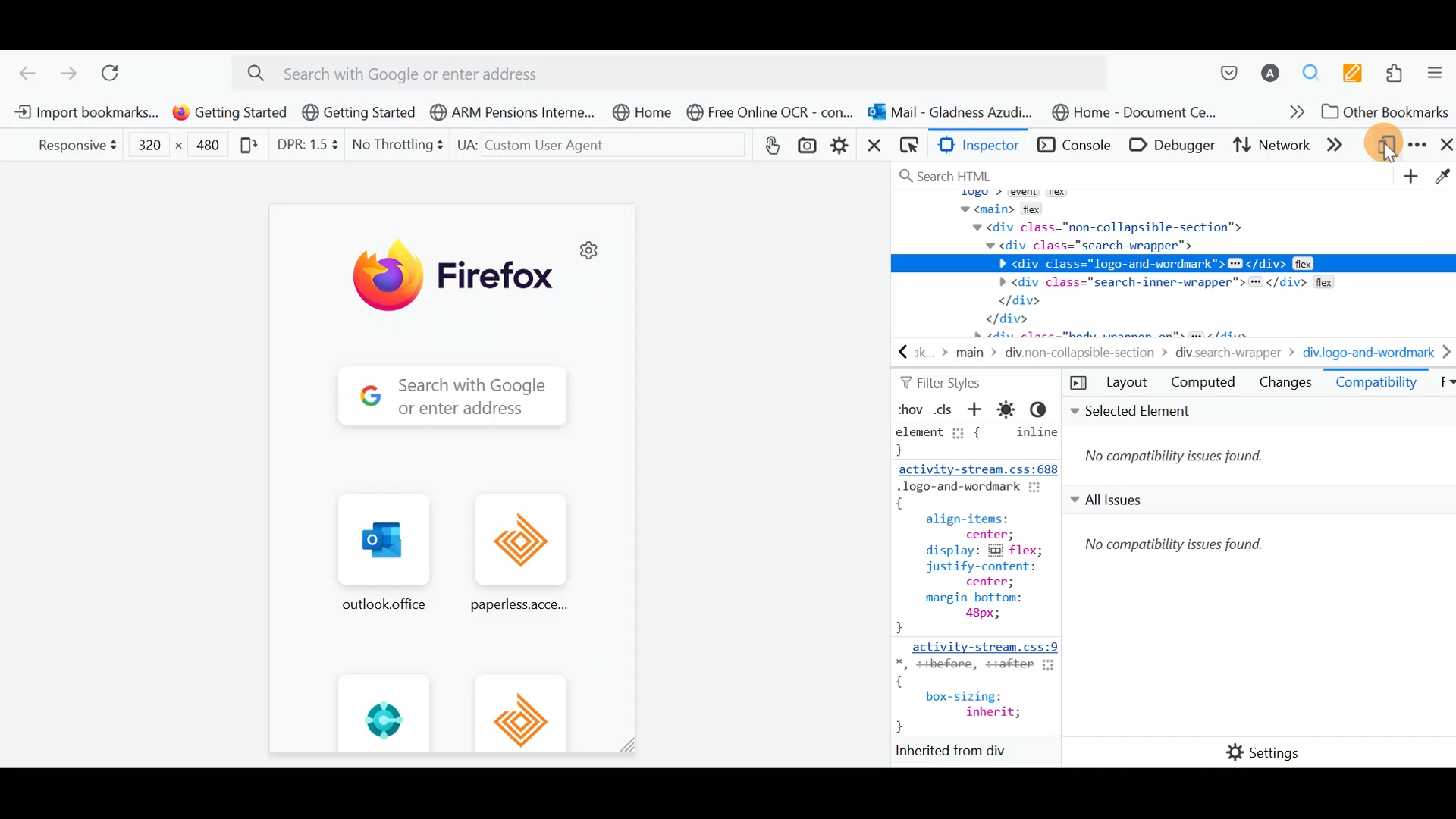 Image resolution: width=1456 pixels, height=819 pixels. What do you see at coordinates (1039, 173) in the screenshot?
I see `Search bar` at bounding box center [1039, 173].